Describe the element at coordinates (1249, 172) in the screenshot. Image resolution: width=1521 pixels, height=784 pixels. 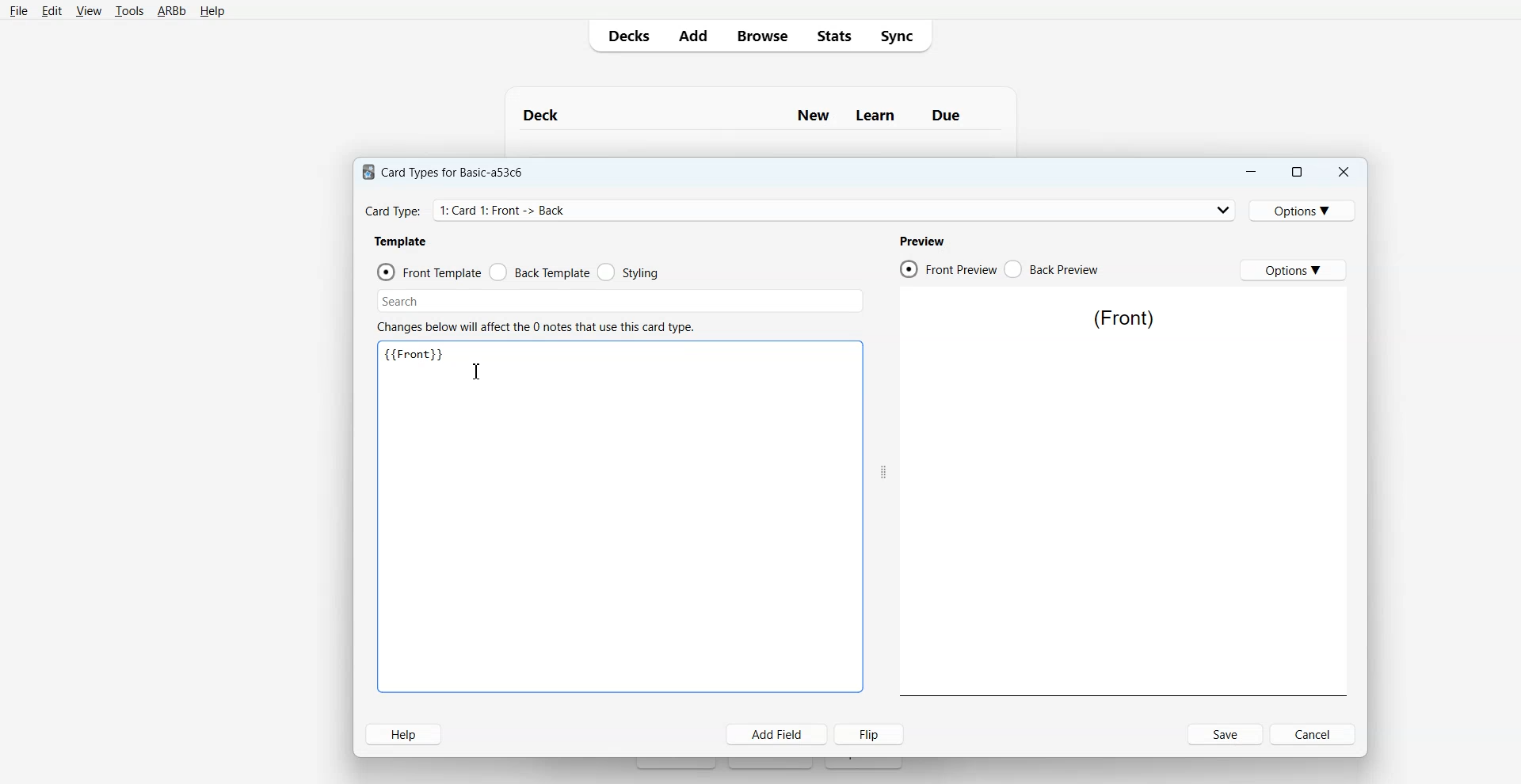
I see `Minimize` at that location.